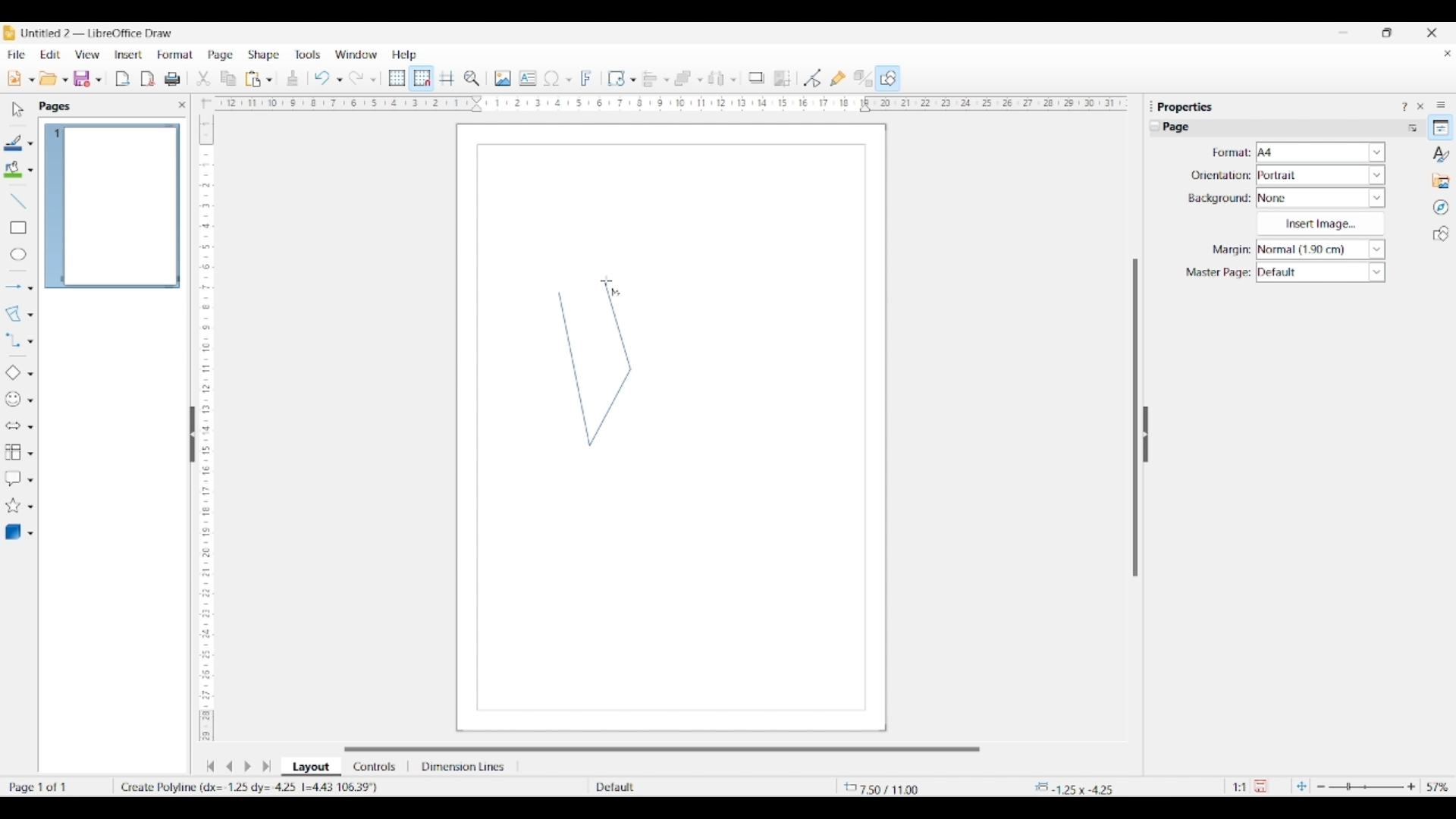  What do you see at coordinates (607, 281) in the screenshot?
I see `Cursor clicking on canvas for point 4 of polygon` at bounding box center [607, 281].